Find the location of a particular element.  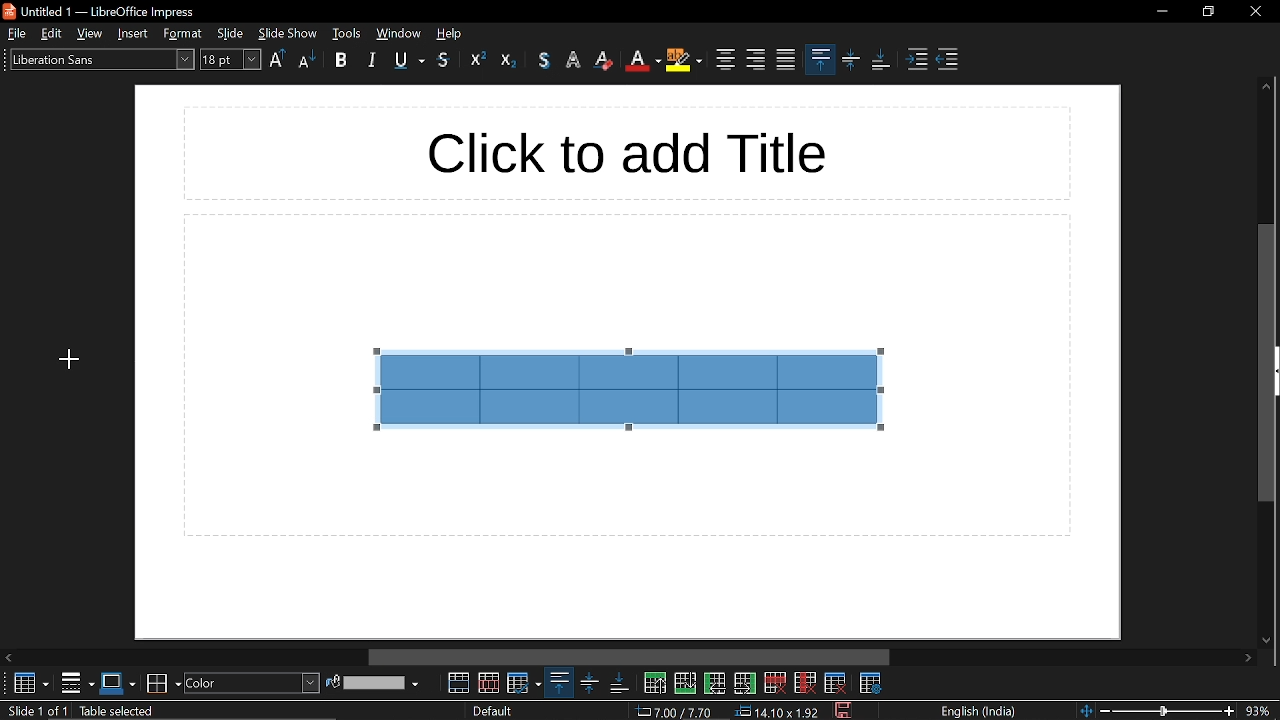

delete row  is located at coordinates (774, 682).